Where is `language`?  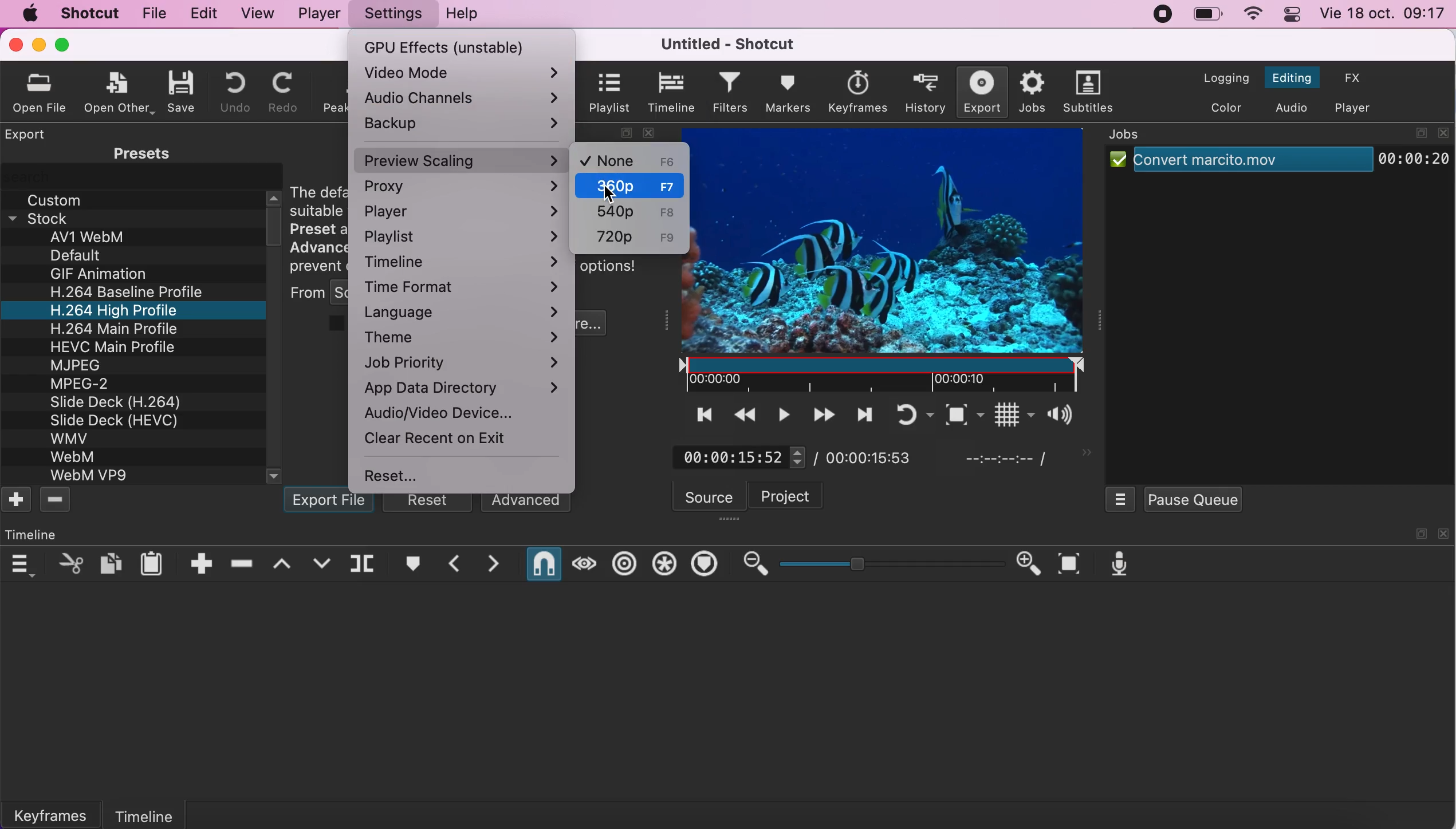
language is located at coordinates (467, 313).